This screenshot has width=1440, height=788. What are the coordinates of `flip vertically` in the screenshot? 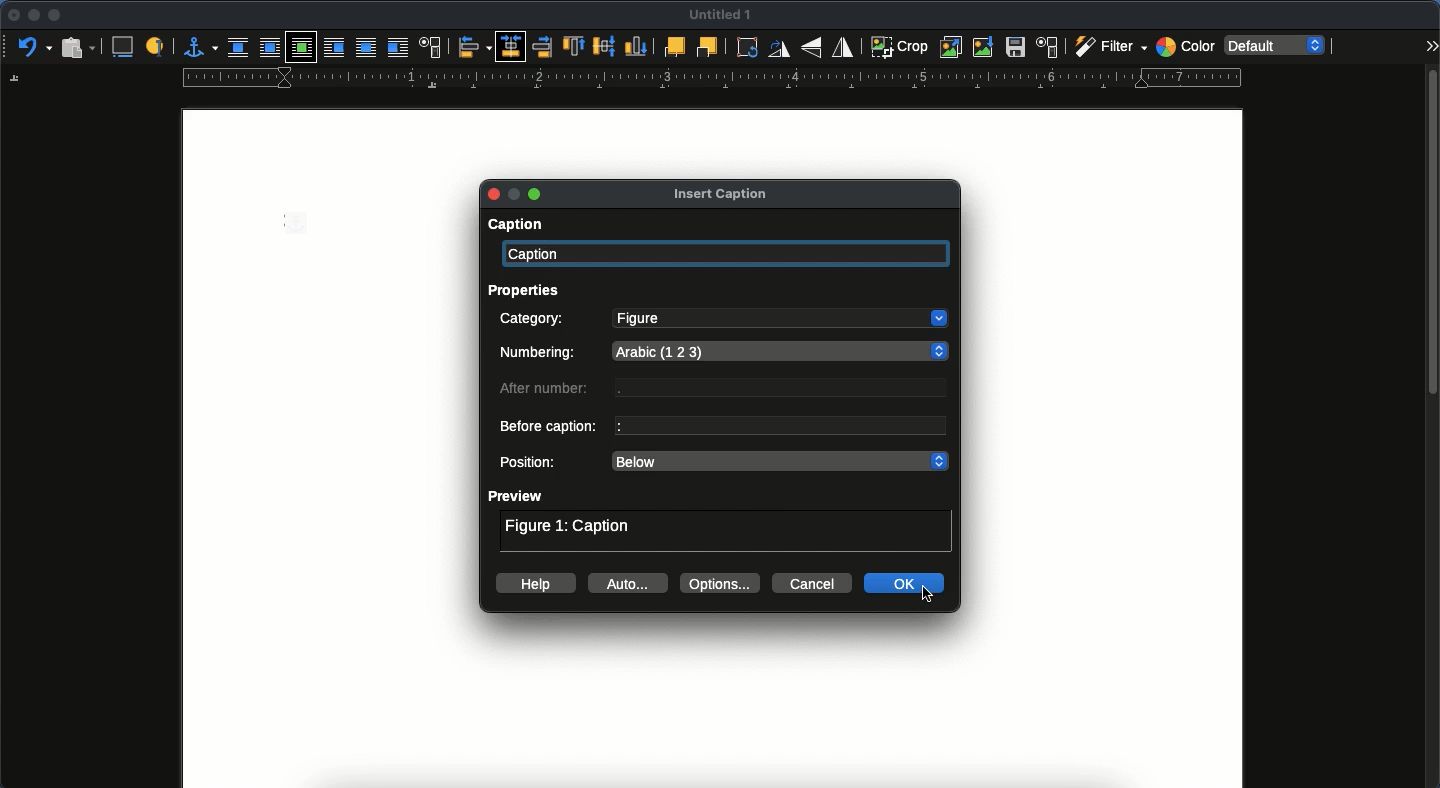 It's located at (812, 47).